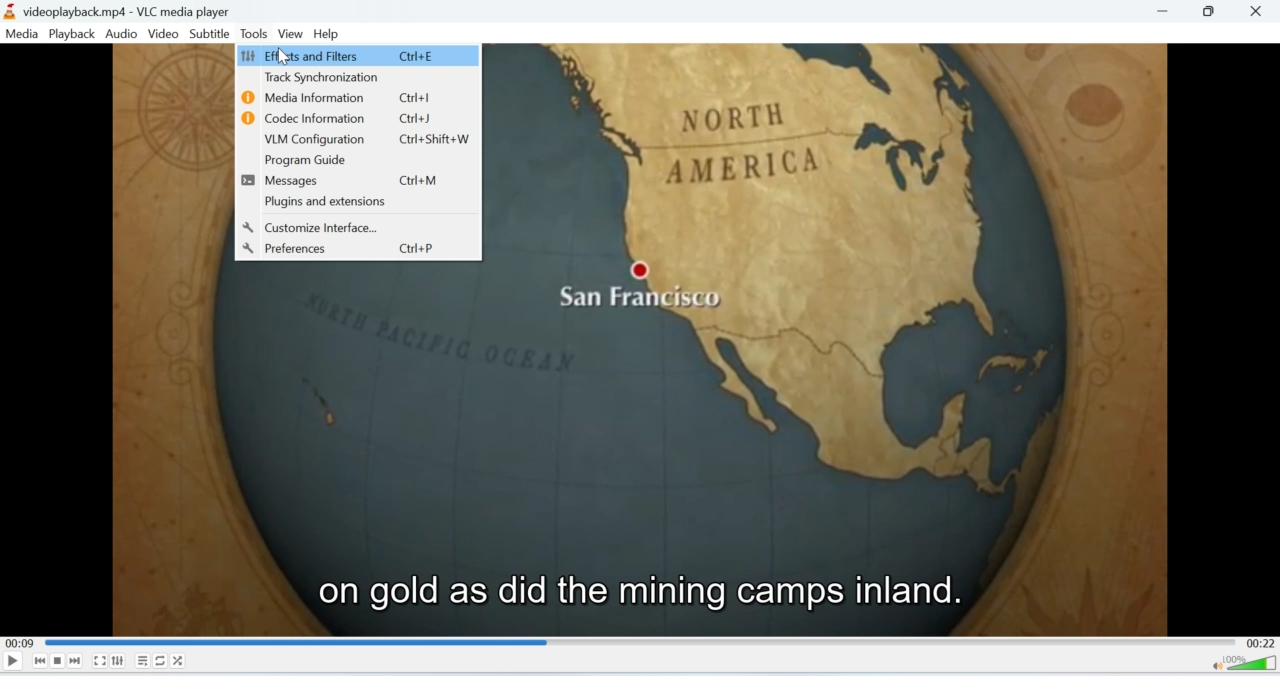 The image size is (1280, 676). What do you see at coordinates (284, 248) in the screenshot?
I see `Preferences` at bounding box center [284, 248].